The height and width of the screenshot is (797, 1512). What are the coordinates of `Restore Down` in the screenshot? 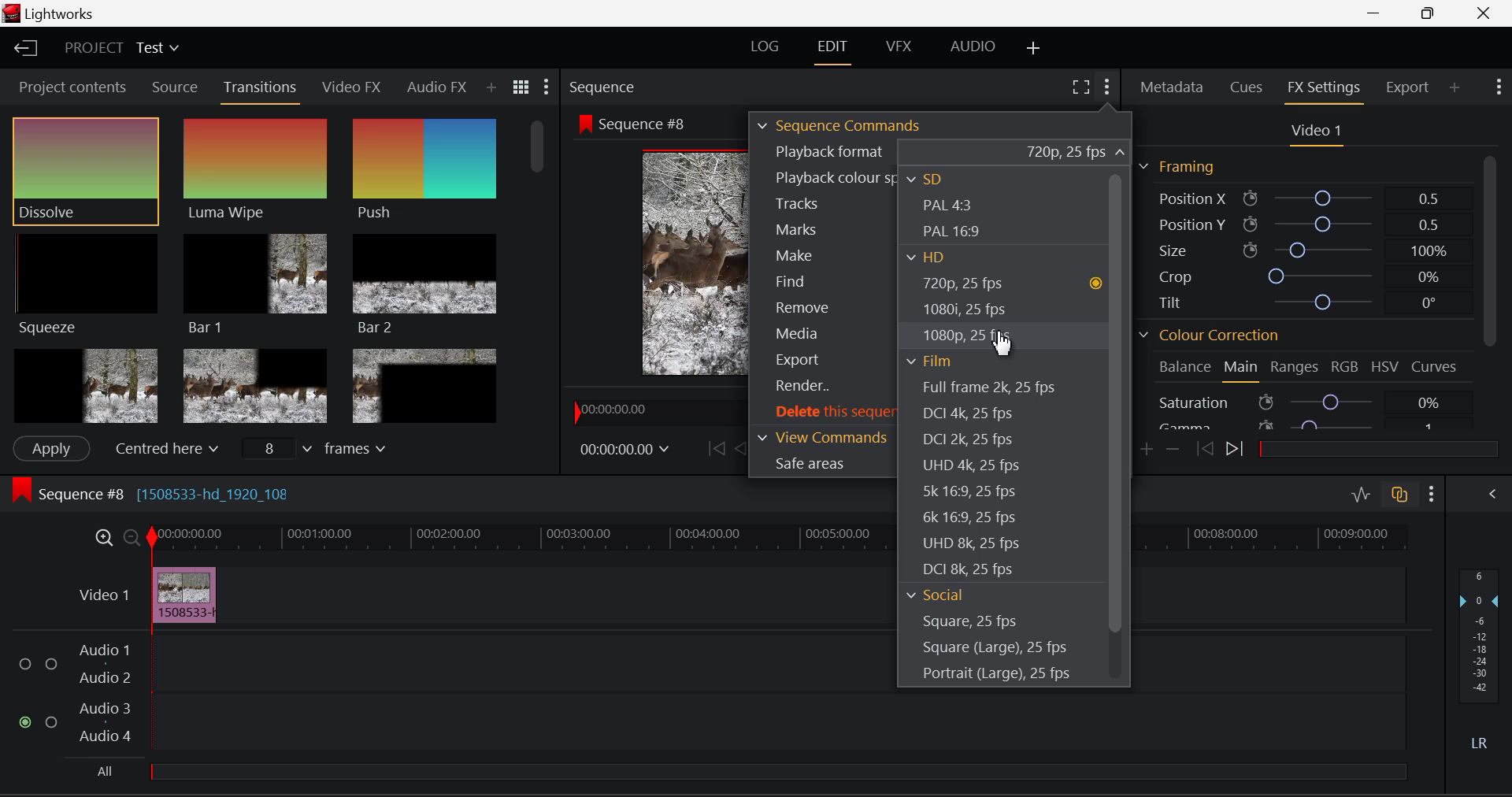 It's located at (1379, 13).